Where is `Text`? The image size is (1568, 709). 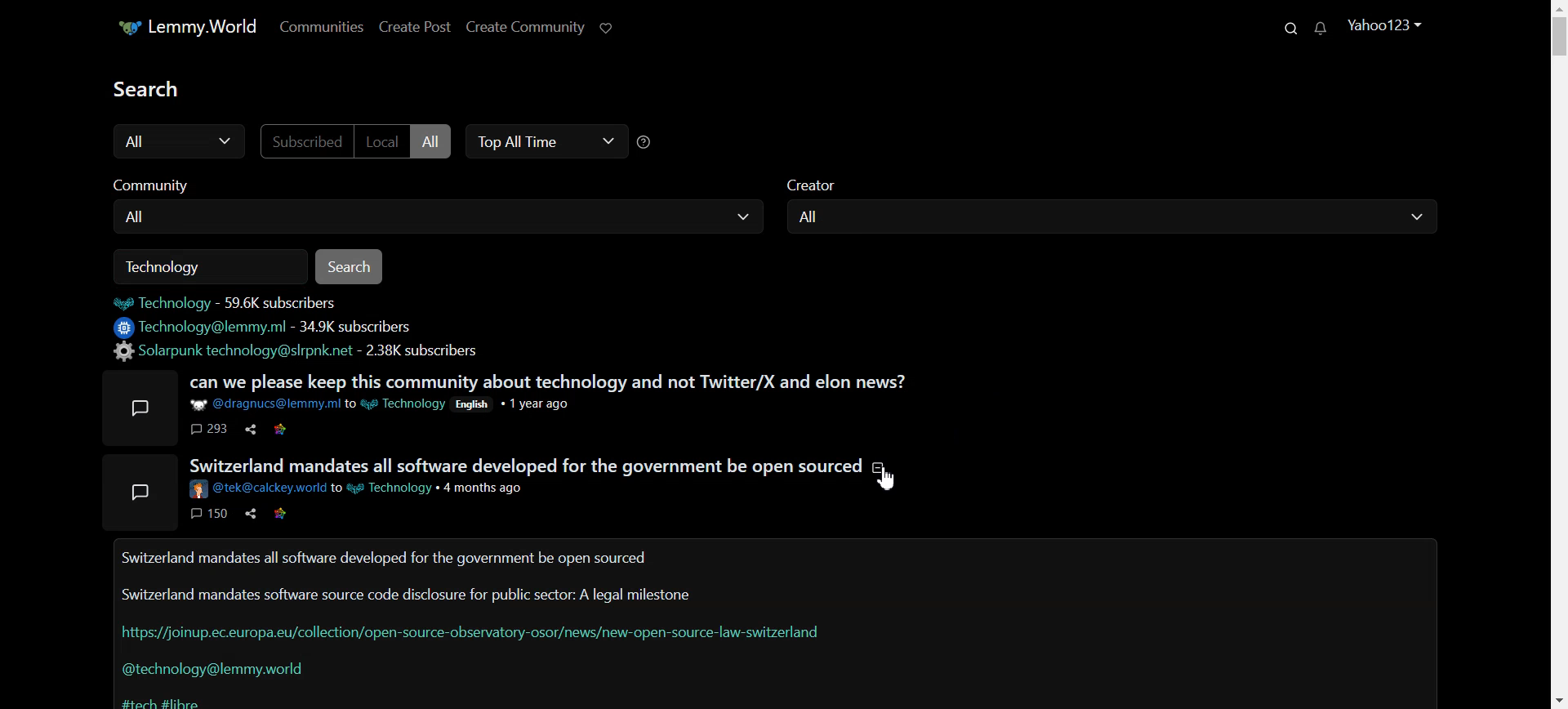
Text is located at coordinates (174, 267).